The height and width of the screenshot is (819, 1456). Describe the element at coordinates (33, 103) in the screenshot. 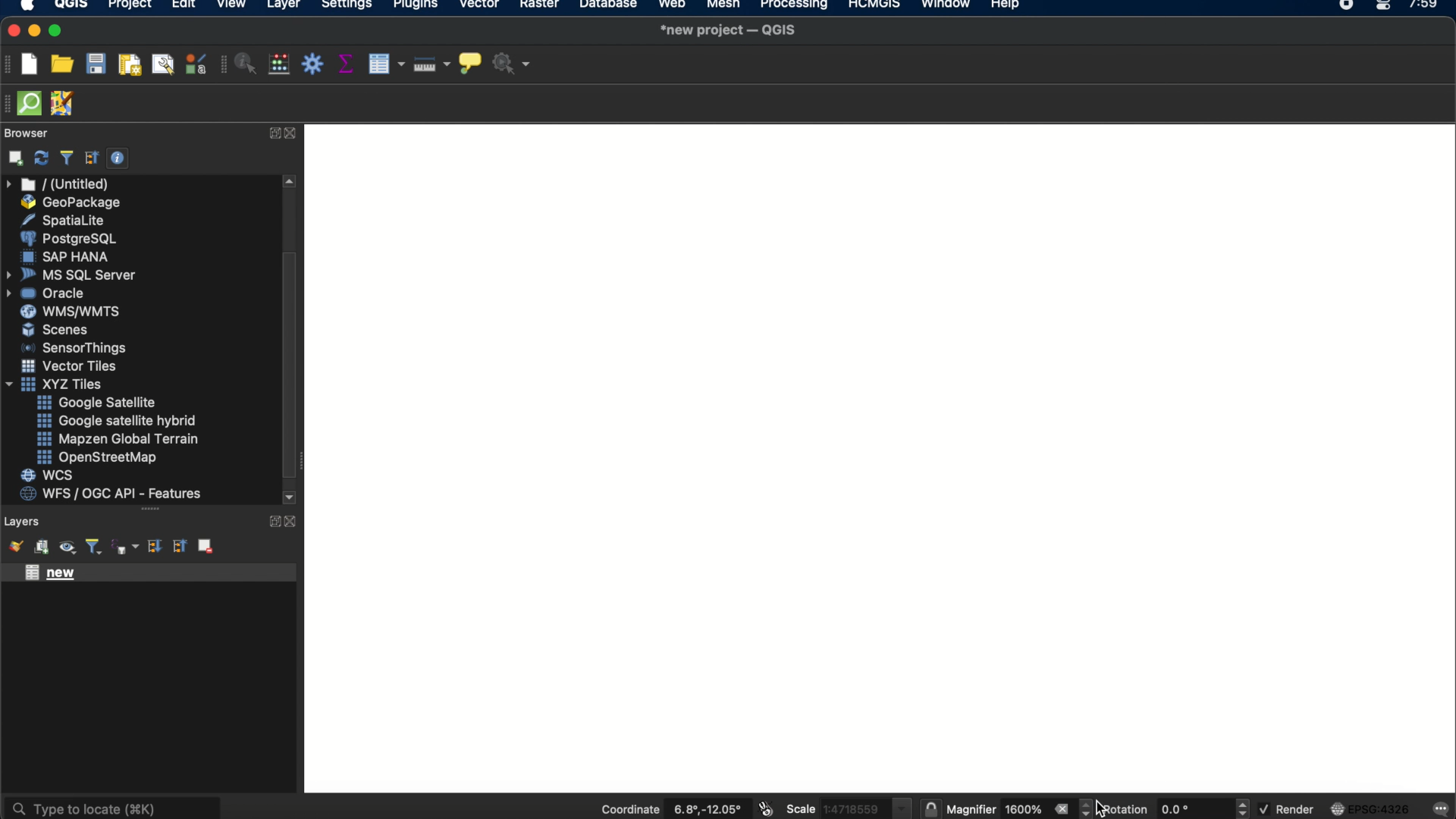

I see `QuickOSM` at that location.